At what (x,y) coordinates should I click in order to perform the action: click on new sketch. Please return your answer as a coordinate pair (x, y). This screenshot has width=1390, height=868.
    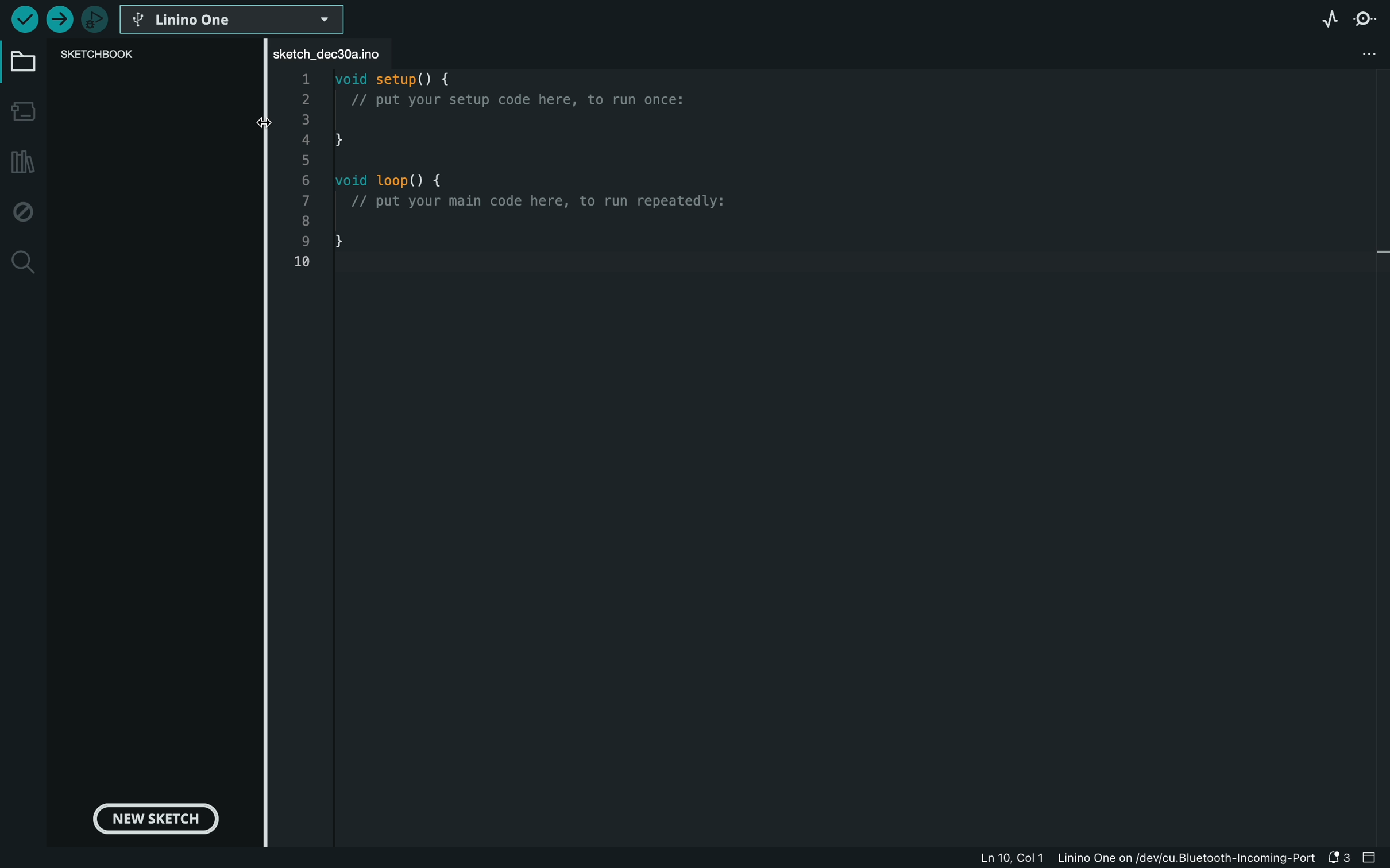
    Looking at the image, I should click on (159, 820).